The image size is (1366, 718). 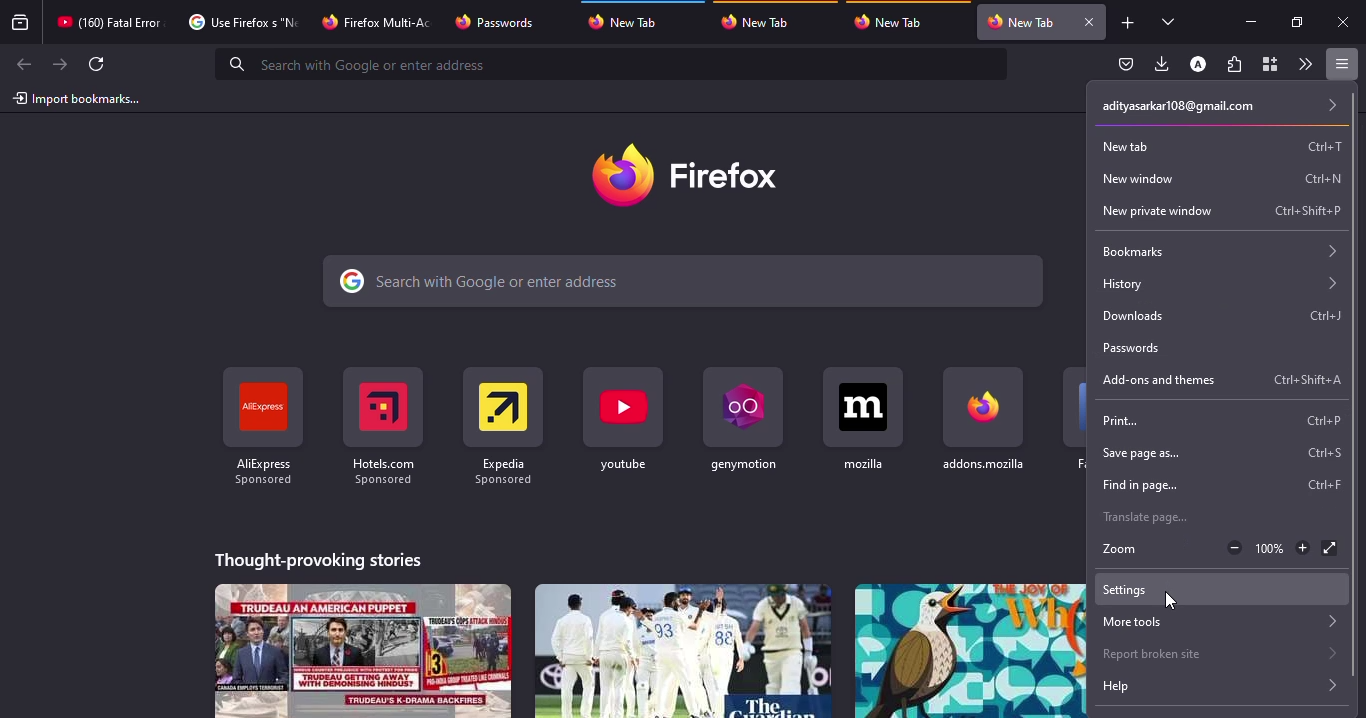 I want to click on refresh, so click(x=98, y=64).